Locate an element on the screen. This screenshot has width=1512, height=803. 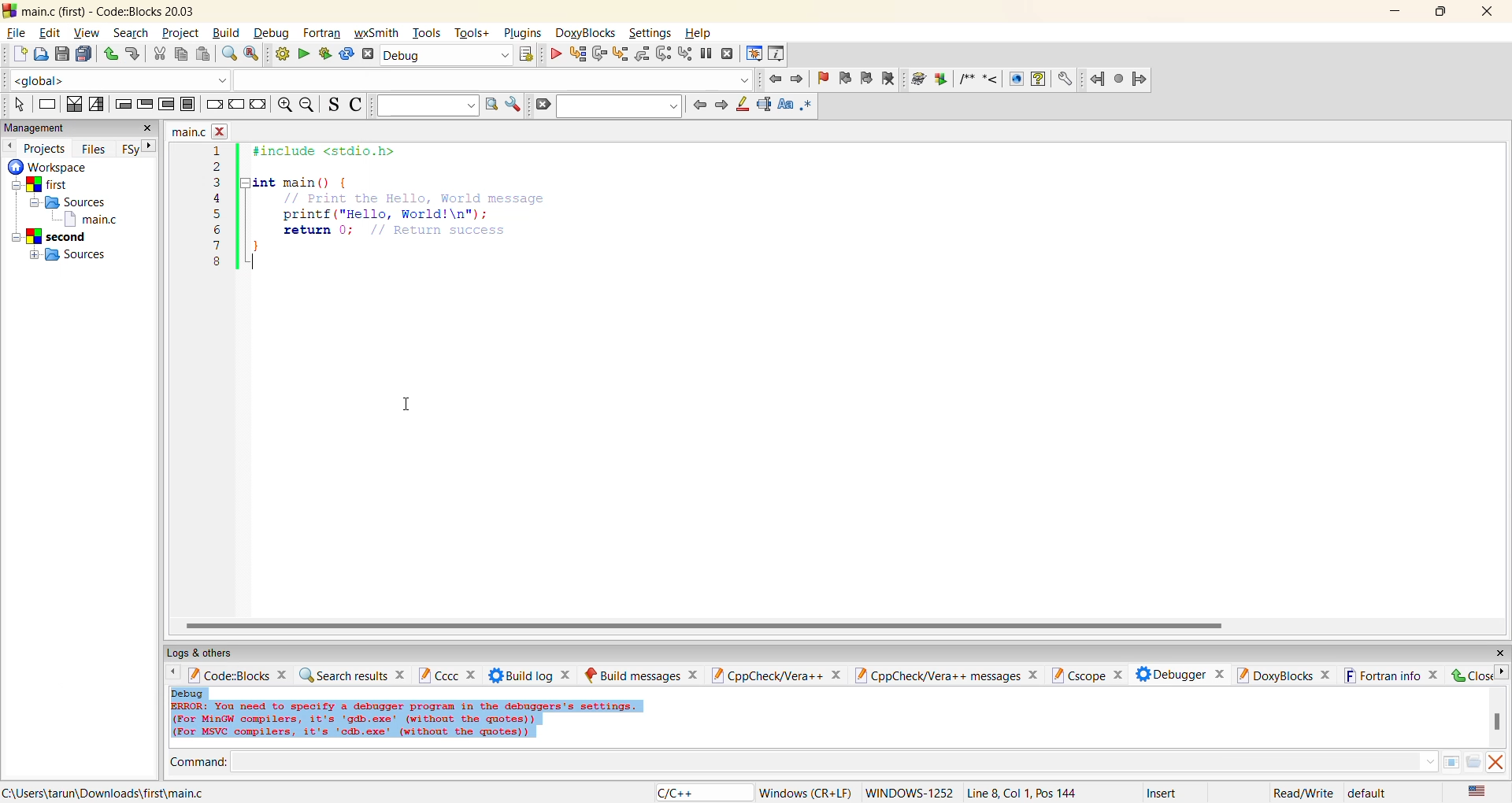
empty condition loop is located at coordinates (123, 106).